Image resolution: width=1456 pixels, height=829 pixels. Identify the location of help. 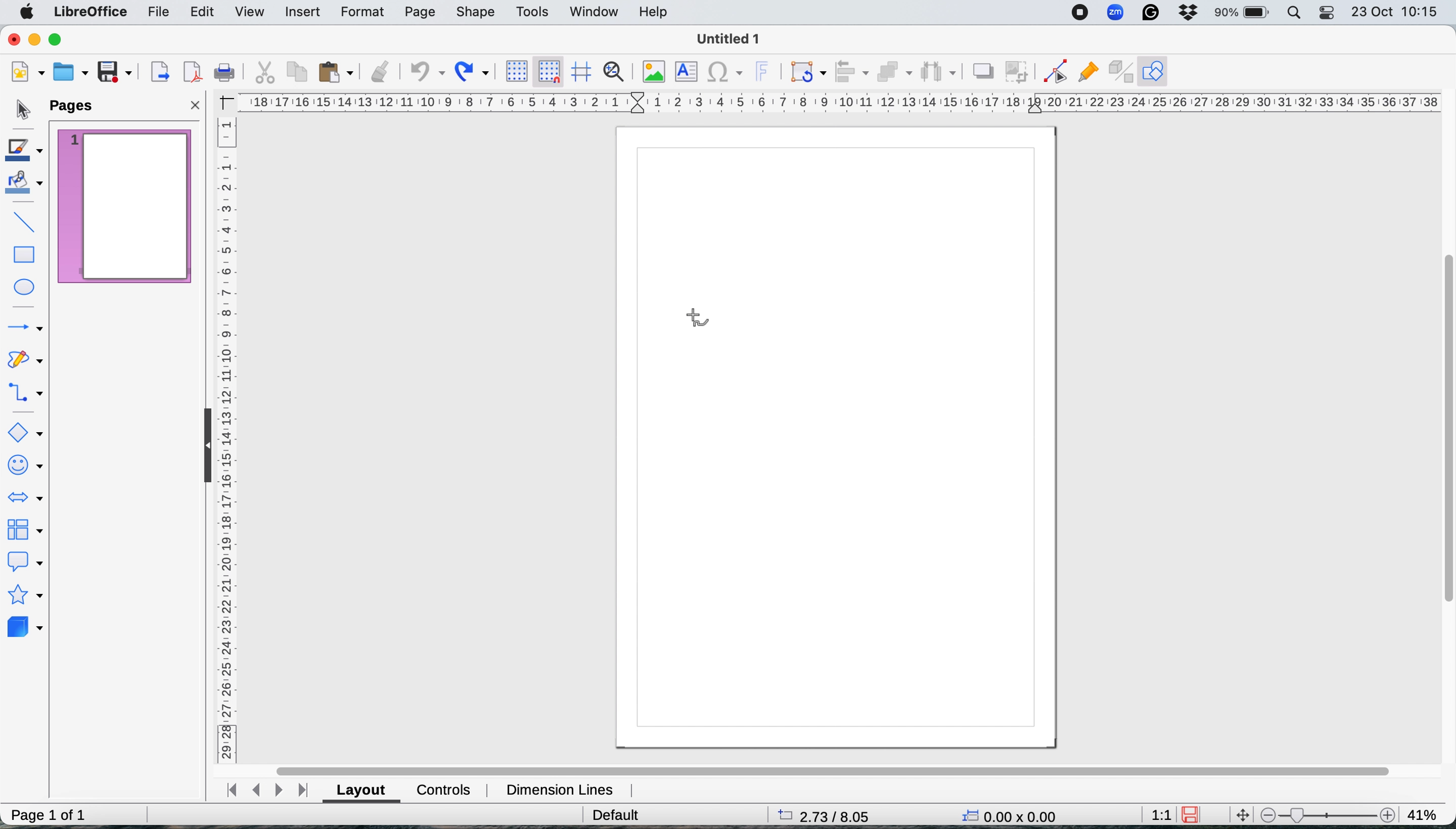
(657, 13).